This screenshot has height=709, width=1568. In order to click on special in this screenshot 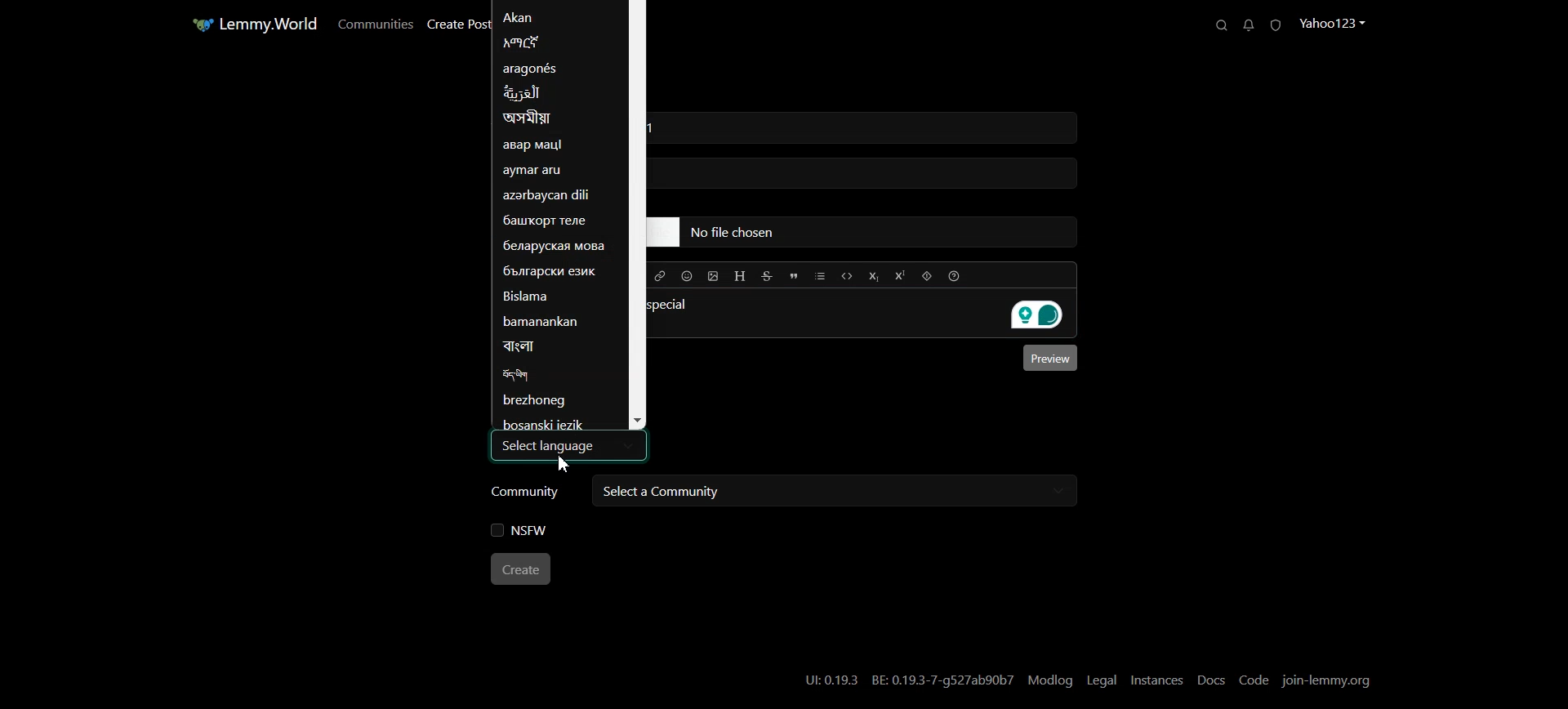, I will do `click(690, 305)`.